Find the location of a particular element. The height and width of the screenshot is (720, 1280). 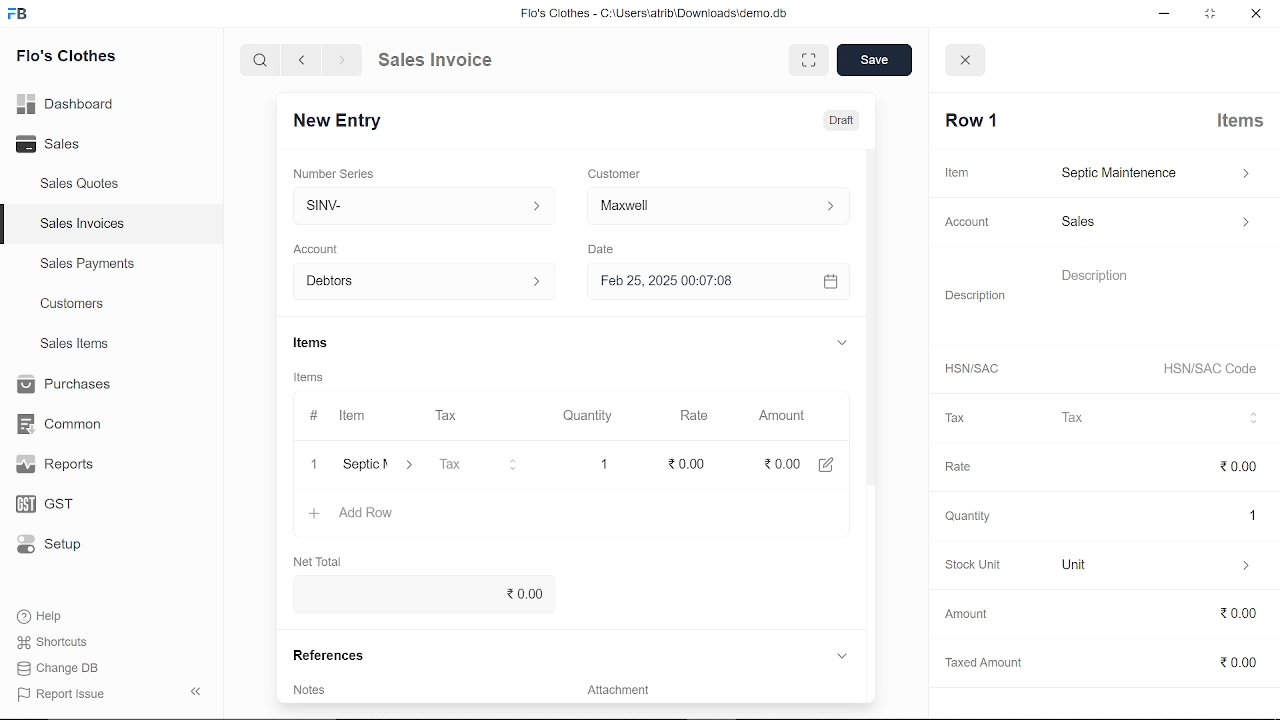

Item is located at coordinates (956, 172).